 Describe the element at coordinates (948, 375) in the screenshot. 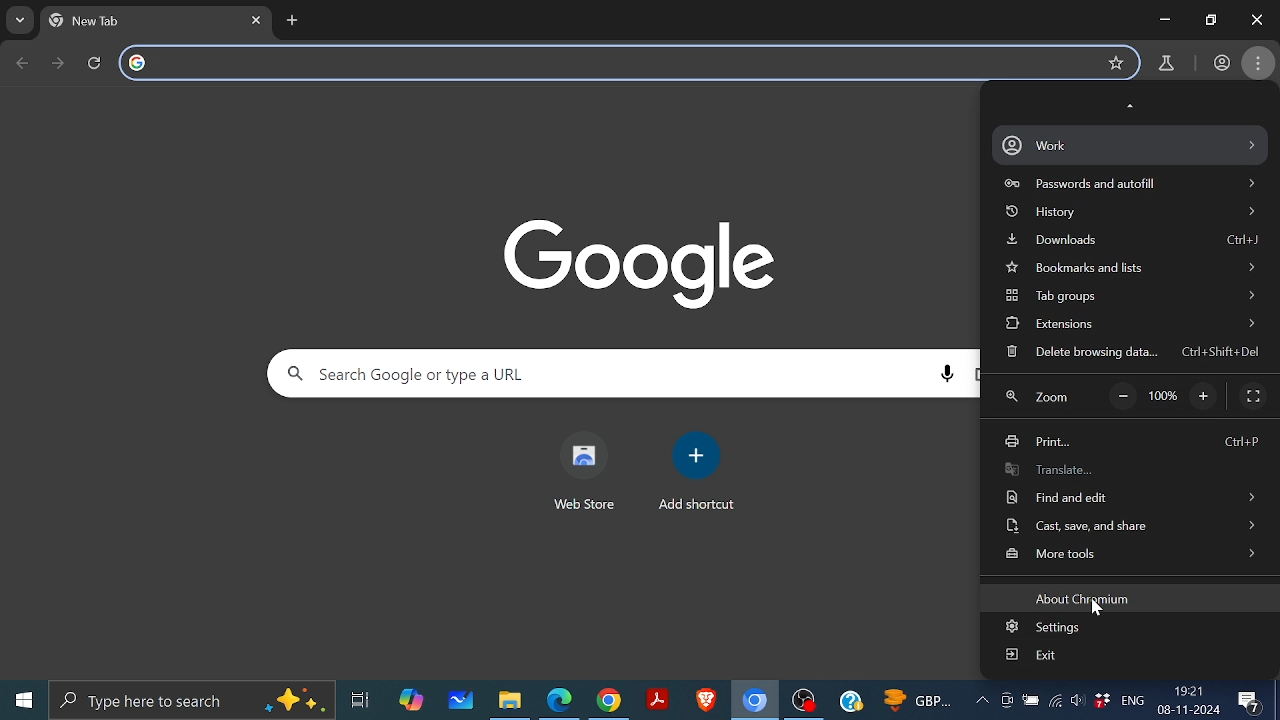

I see `Search by voice` at that location.